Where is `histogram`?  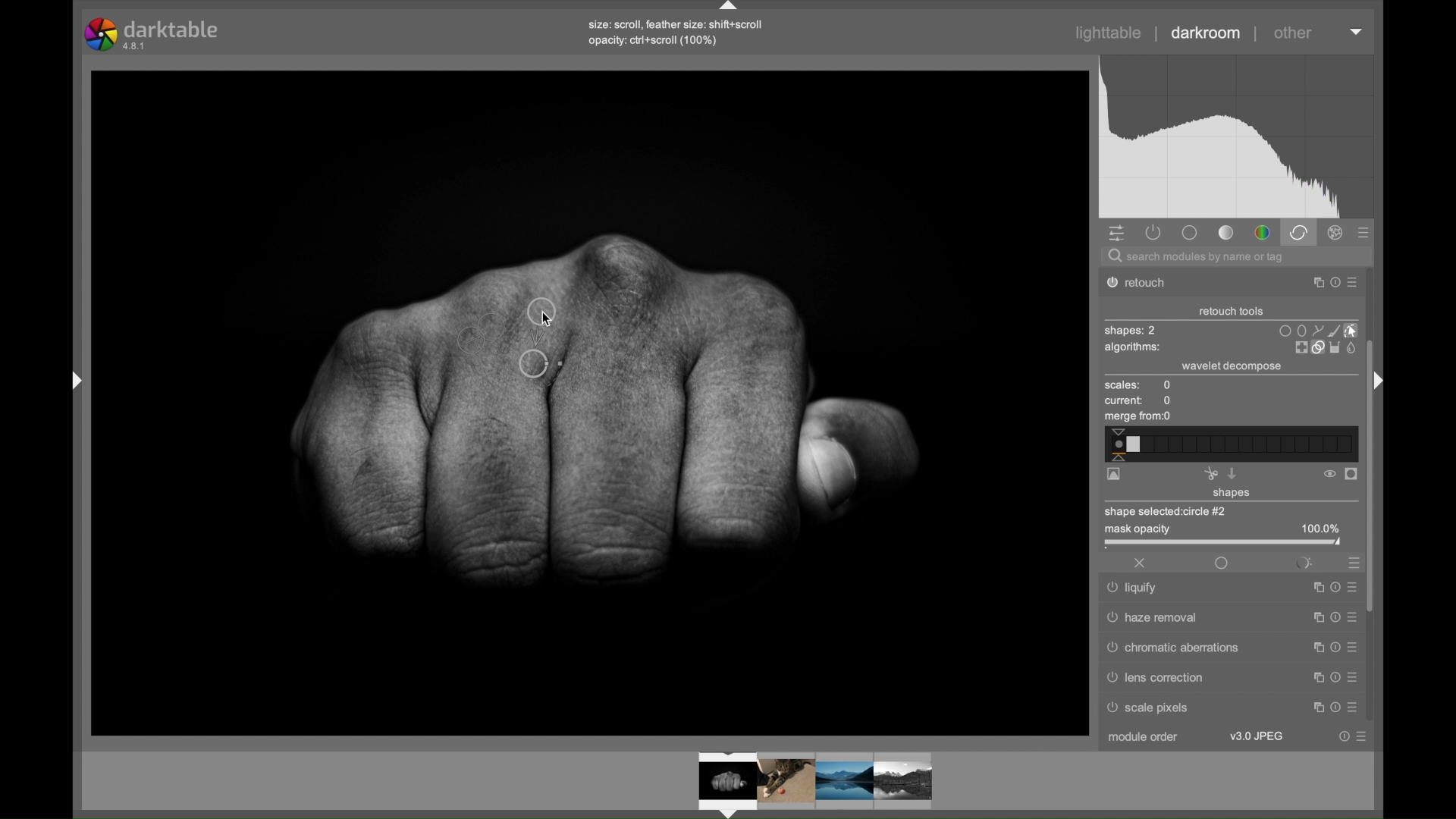 histogram is located at coordinates (1236, 137).